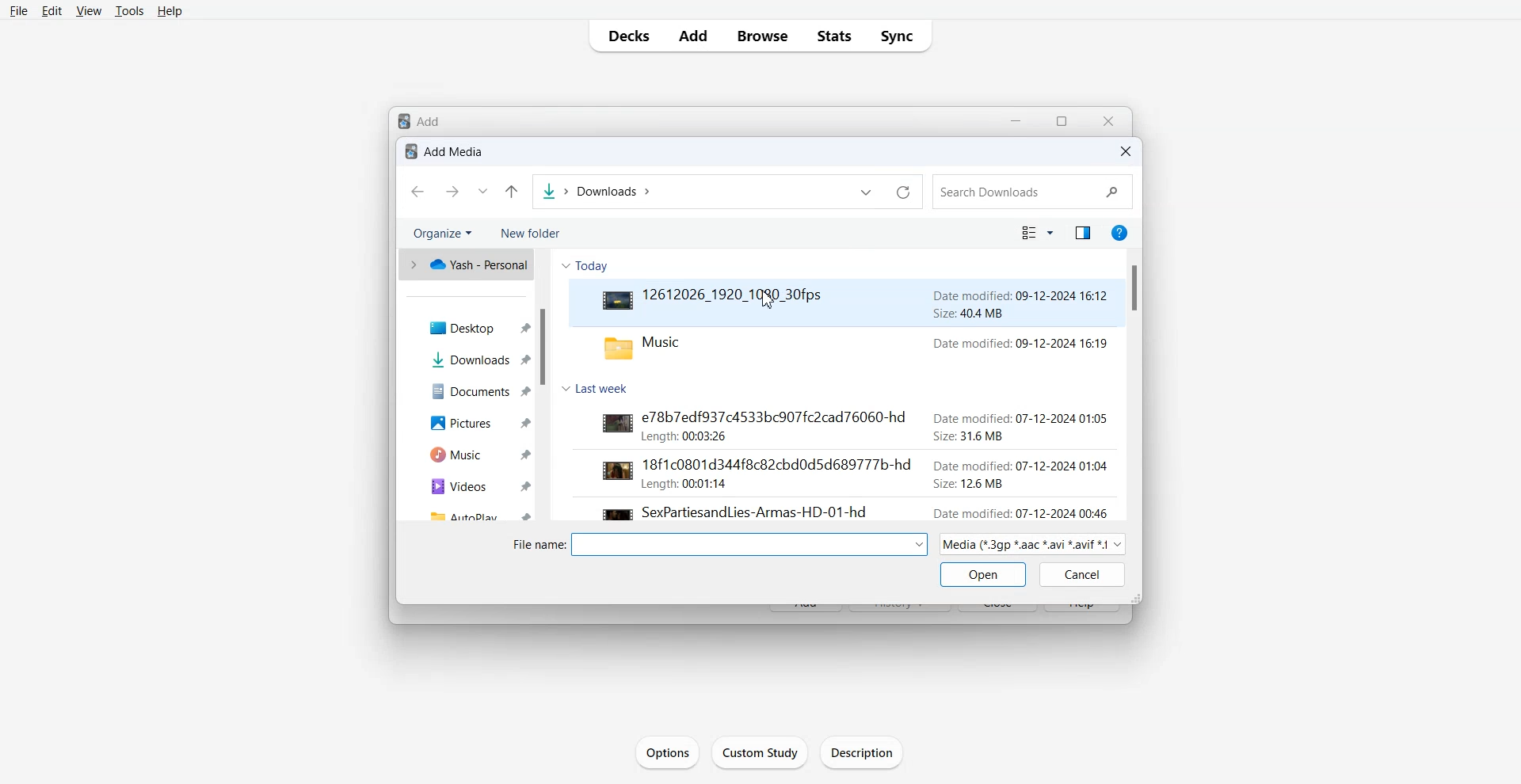  Describe the element at coordinates (982, 576) in the screenshot. I see `Open` at that location.